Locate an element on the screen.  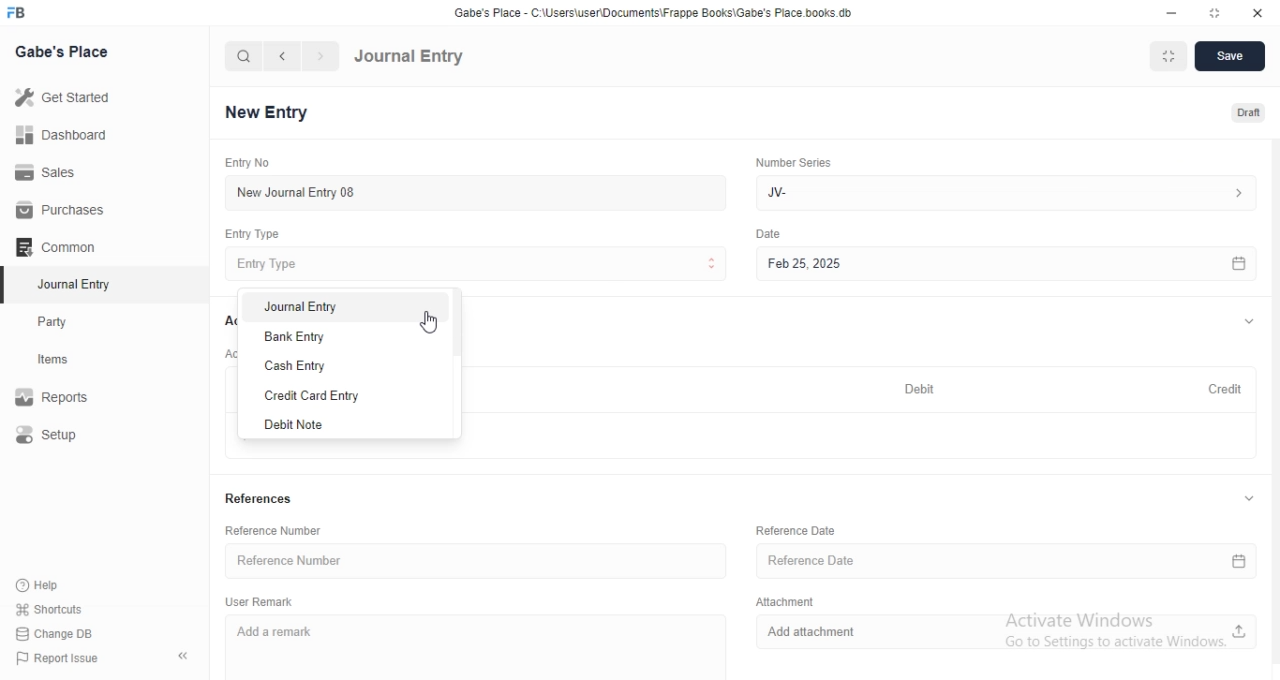
Account Entries is located at coordinates (225, 354).